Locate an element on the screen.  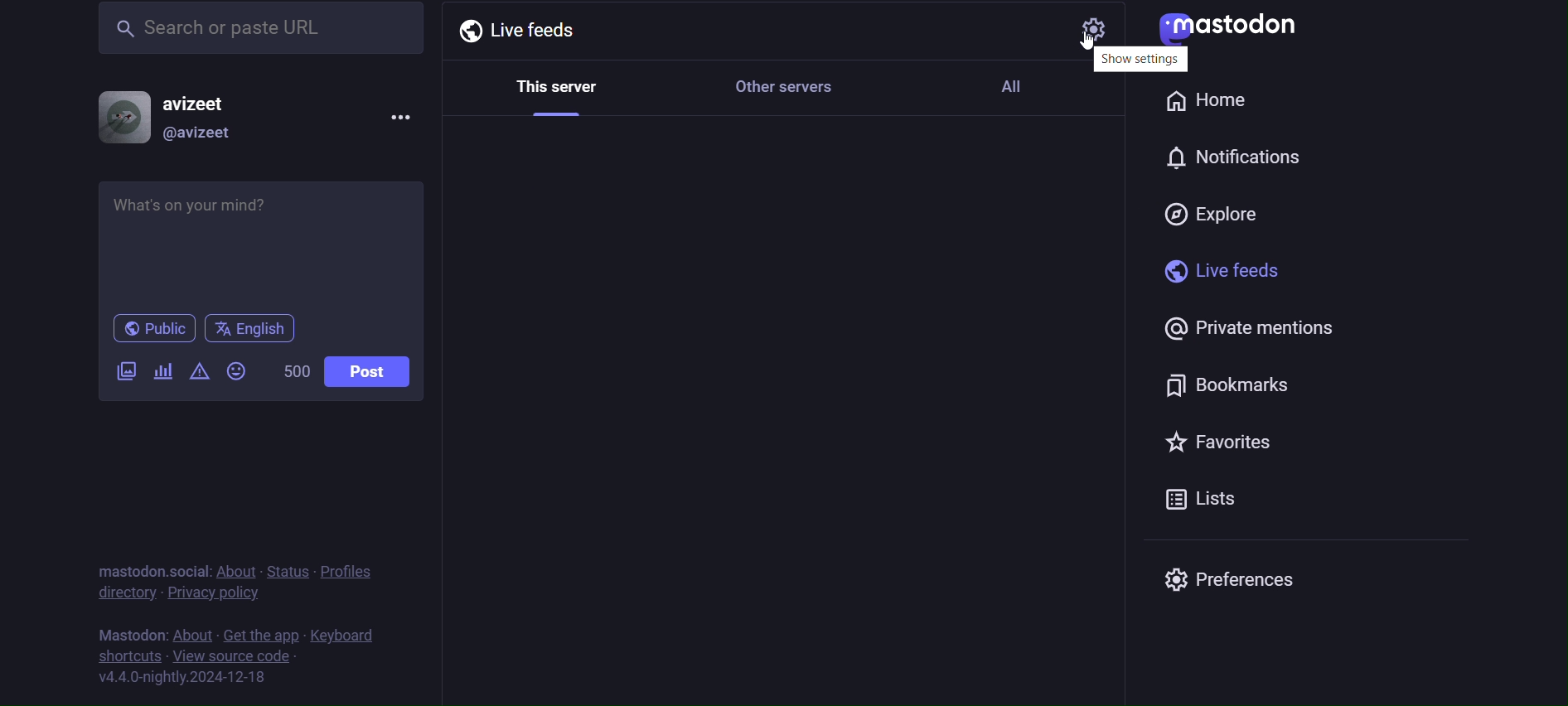
shortcuts is located at coordinates (123, 658).